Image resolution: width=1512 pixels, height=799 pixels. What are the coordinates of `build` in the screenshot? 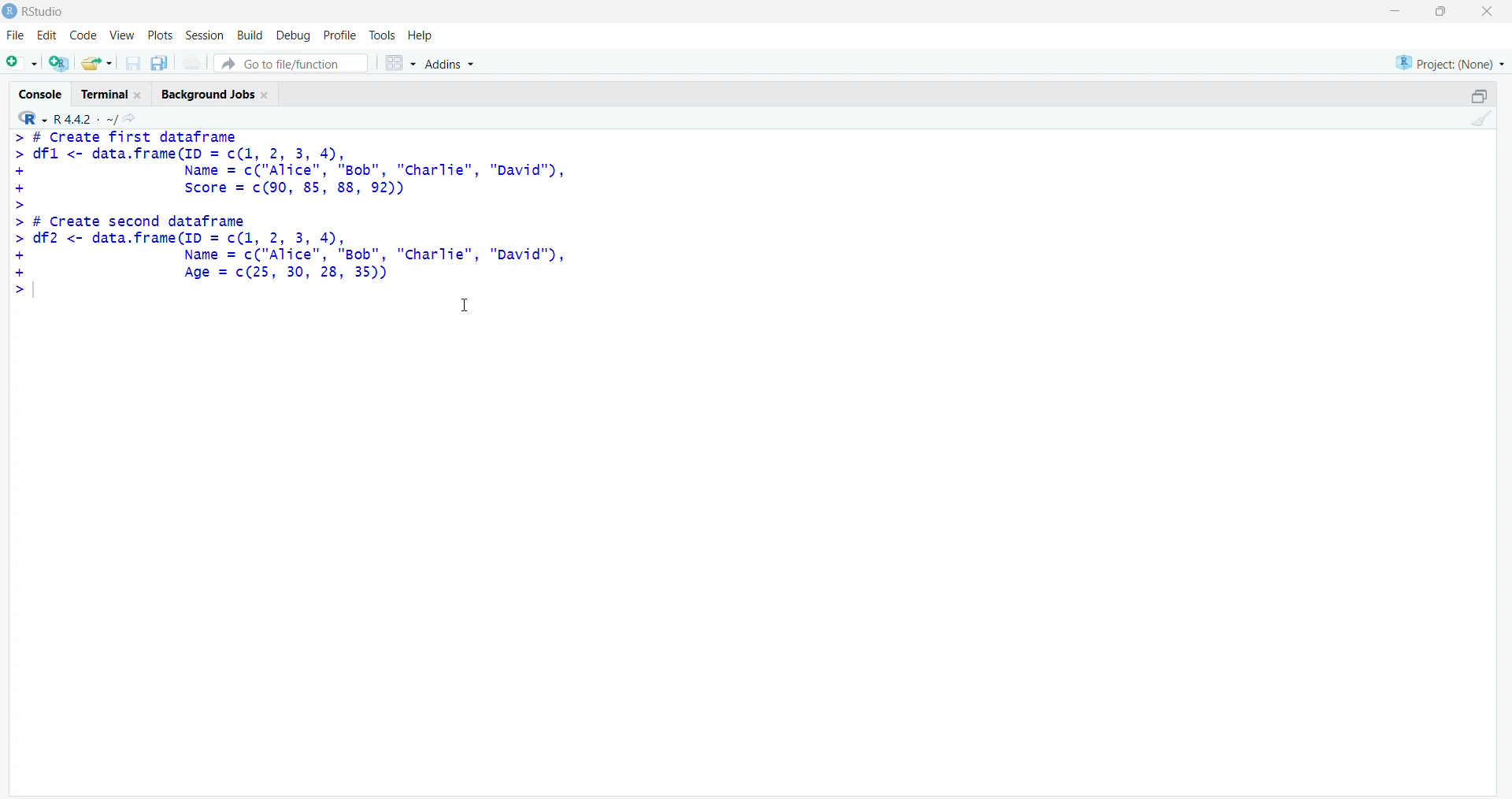 It's located at (252, 36).